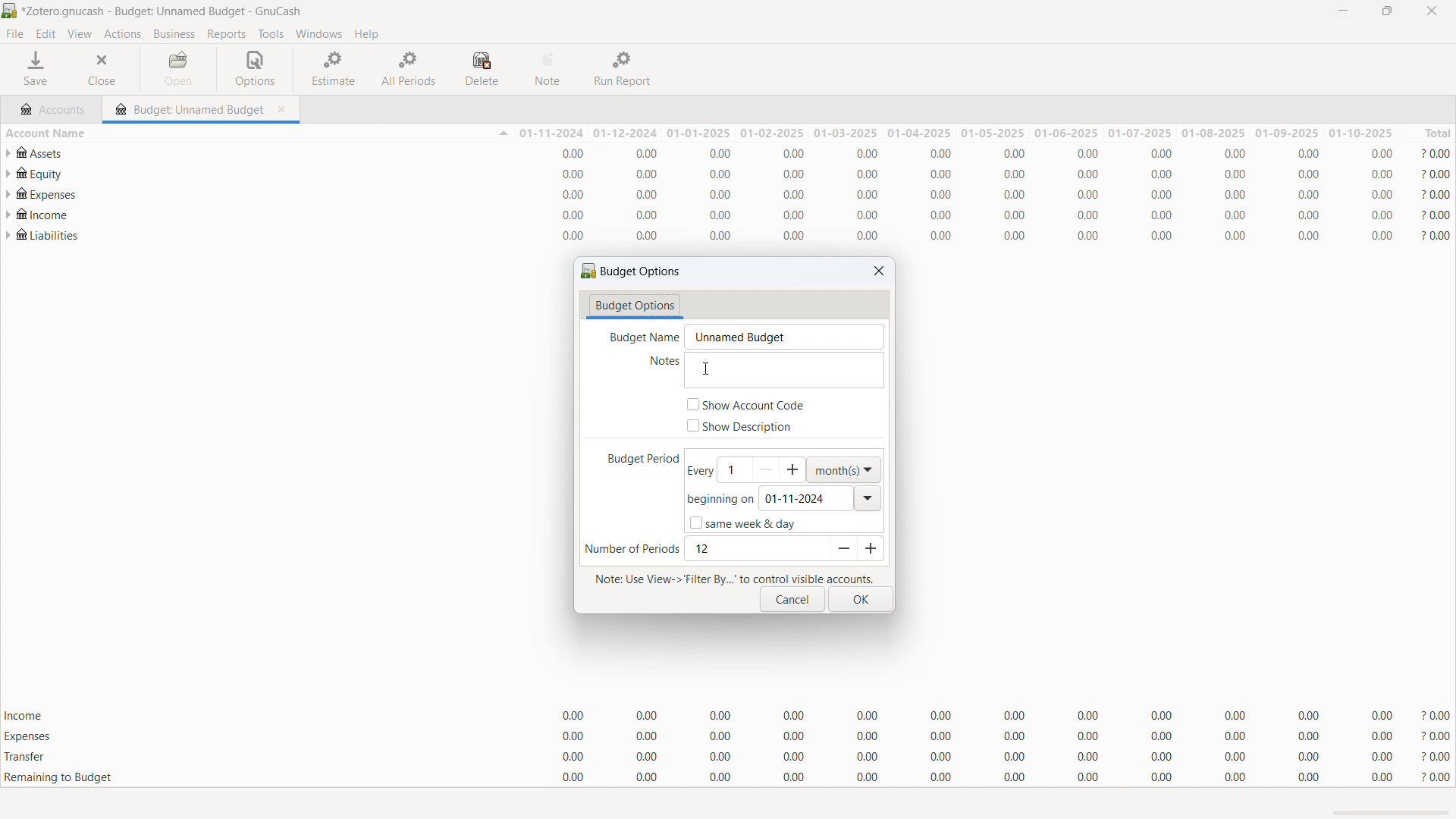 The image size is (1456, 819). I want to click on ok, so click(861, 600).